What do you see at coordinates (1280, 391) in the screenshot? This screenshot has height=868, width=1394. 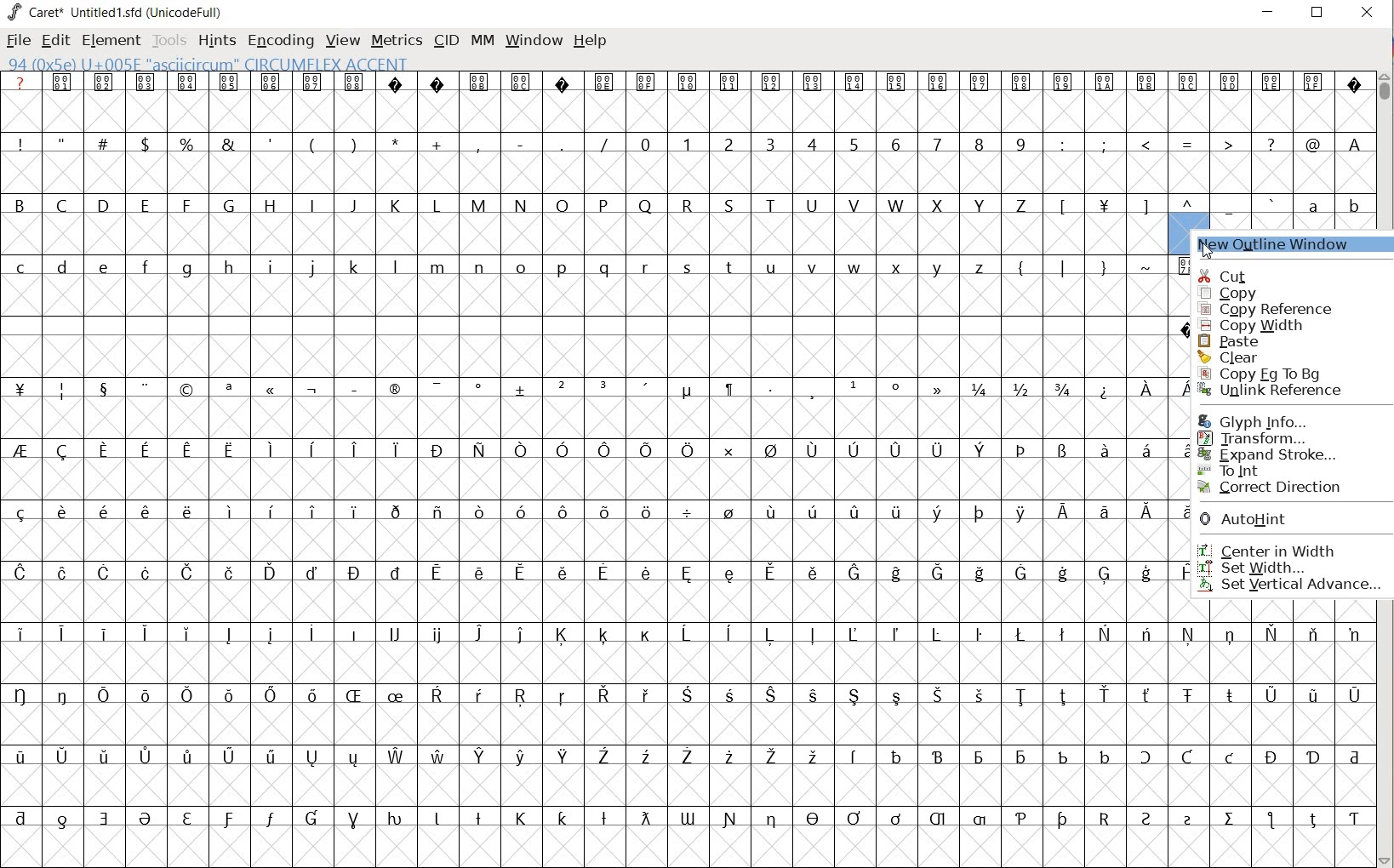 I see `unlink reference` at bounding box center [1280, 391].